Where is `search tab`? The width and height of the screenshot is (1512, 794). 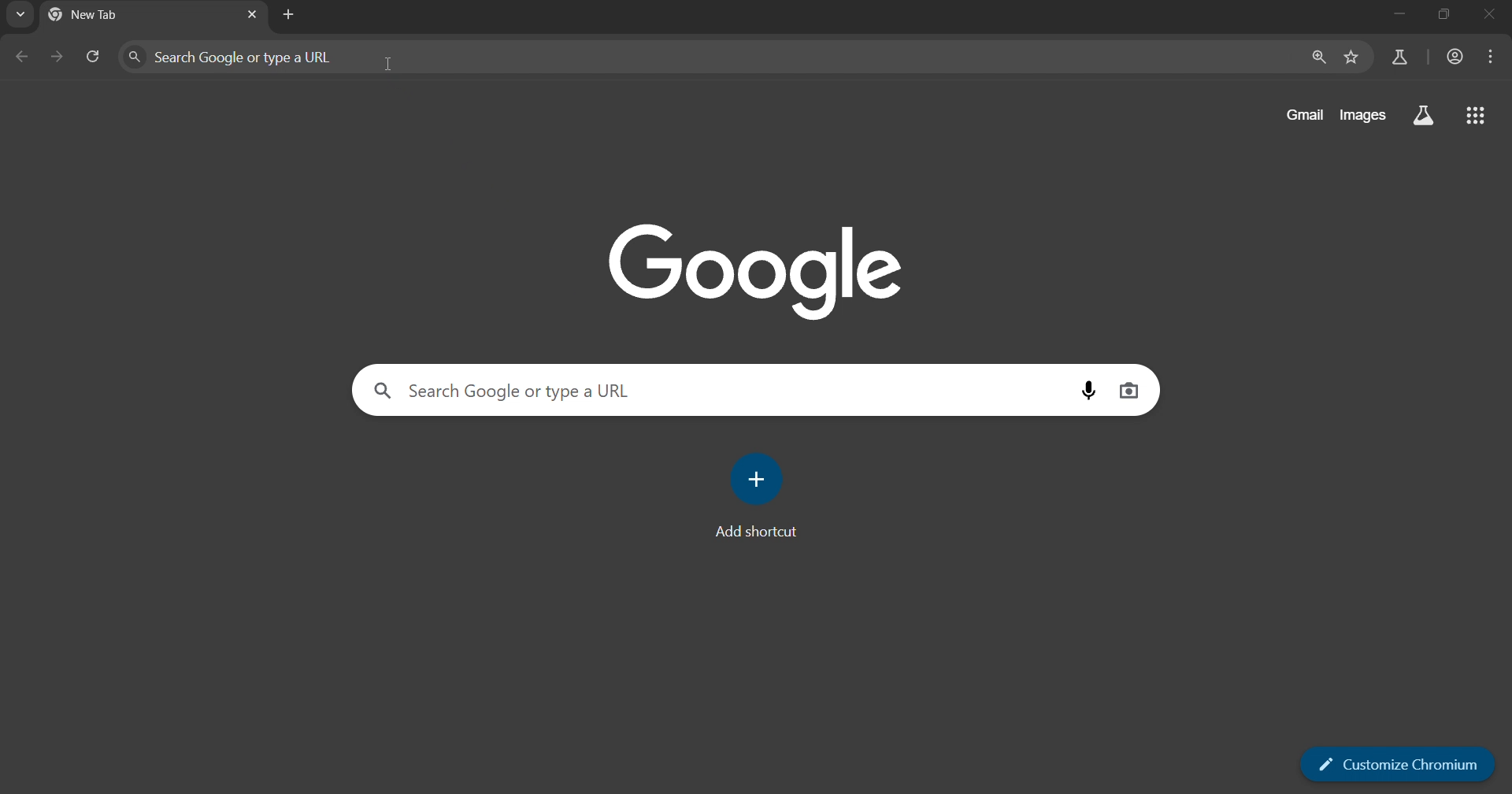 search tab is located at coordinates (17, 17).